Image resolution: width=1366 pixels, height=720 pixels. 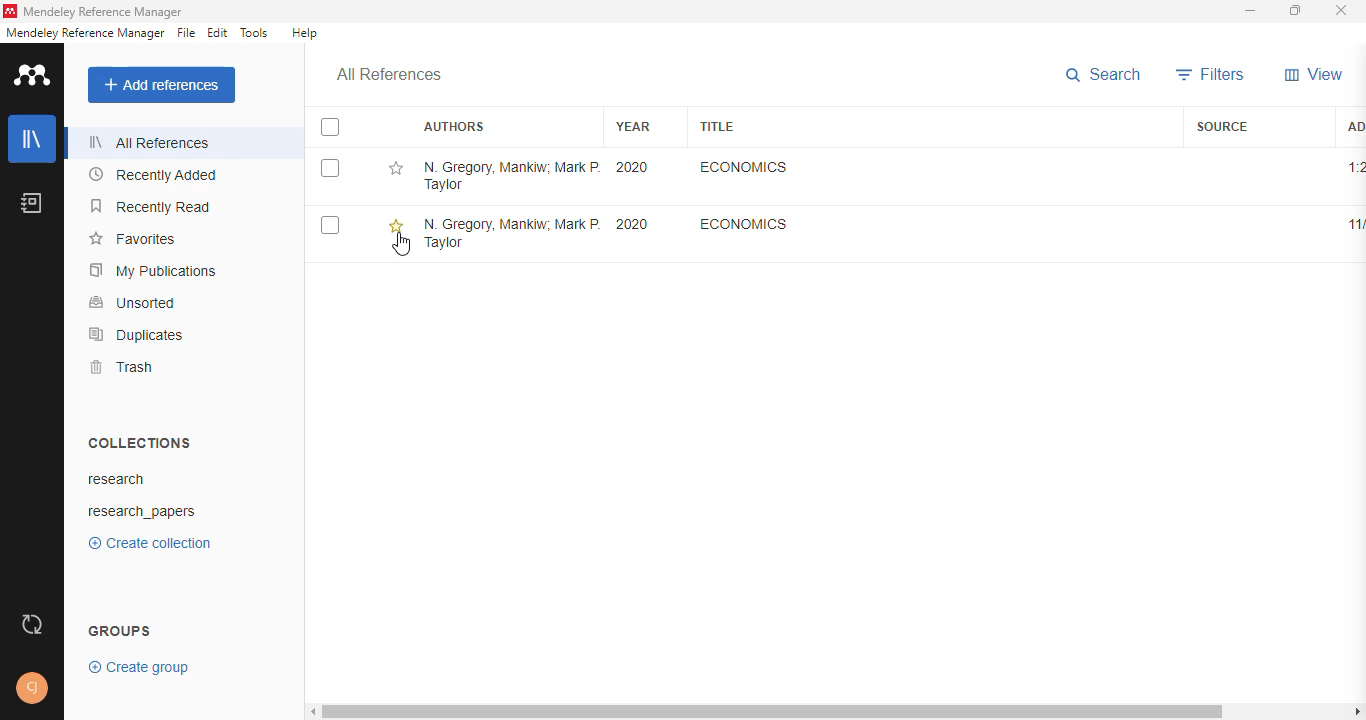 What do you see at coordinates (1212, 74) in the screenshot?
I see `filters` at bounding box center [1212, 74].